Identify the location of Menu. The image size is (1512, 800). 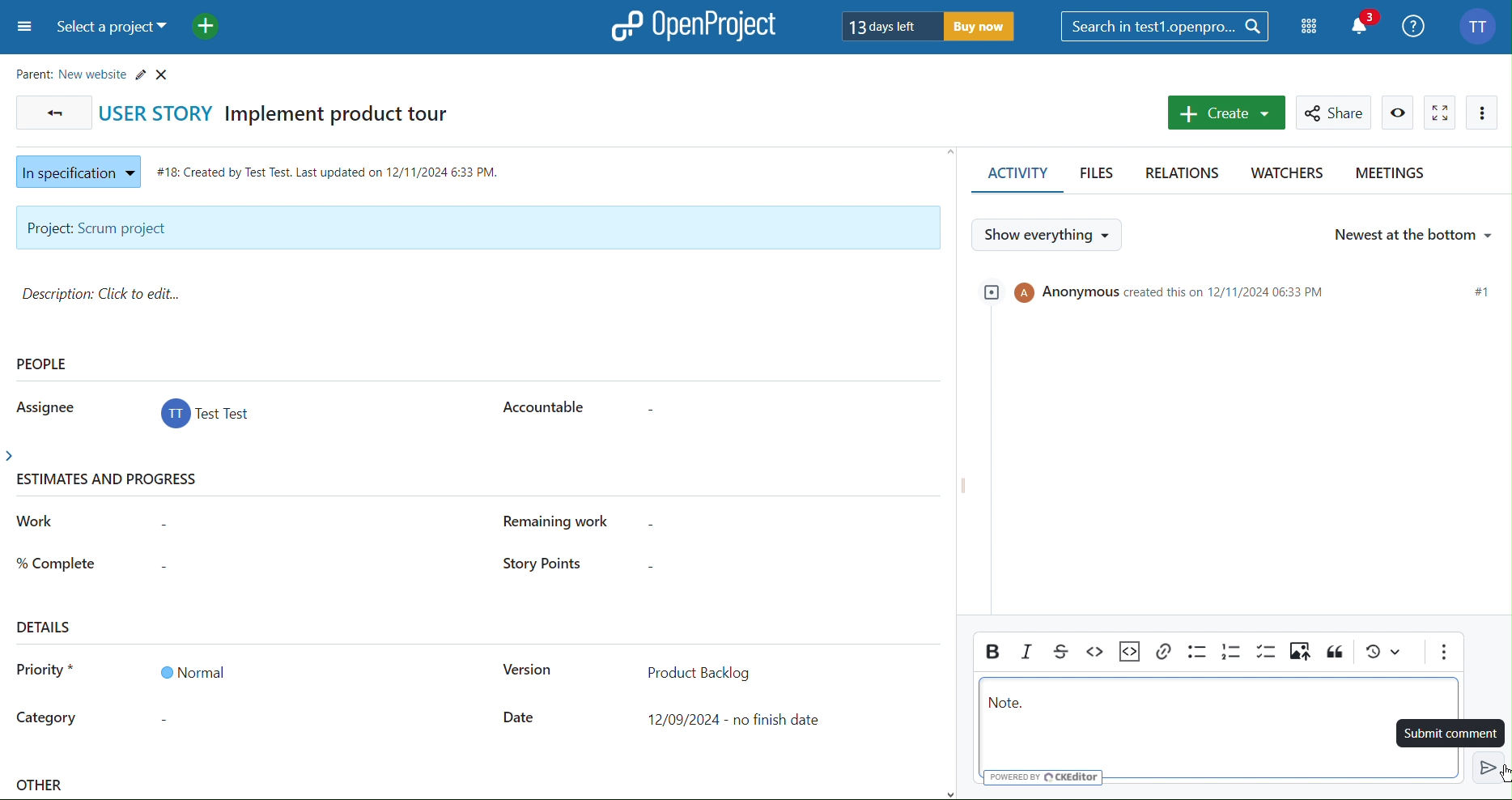
(22, 28).